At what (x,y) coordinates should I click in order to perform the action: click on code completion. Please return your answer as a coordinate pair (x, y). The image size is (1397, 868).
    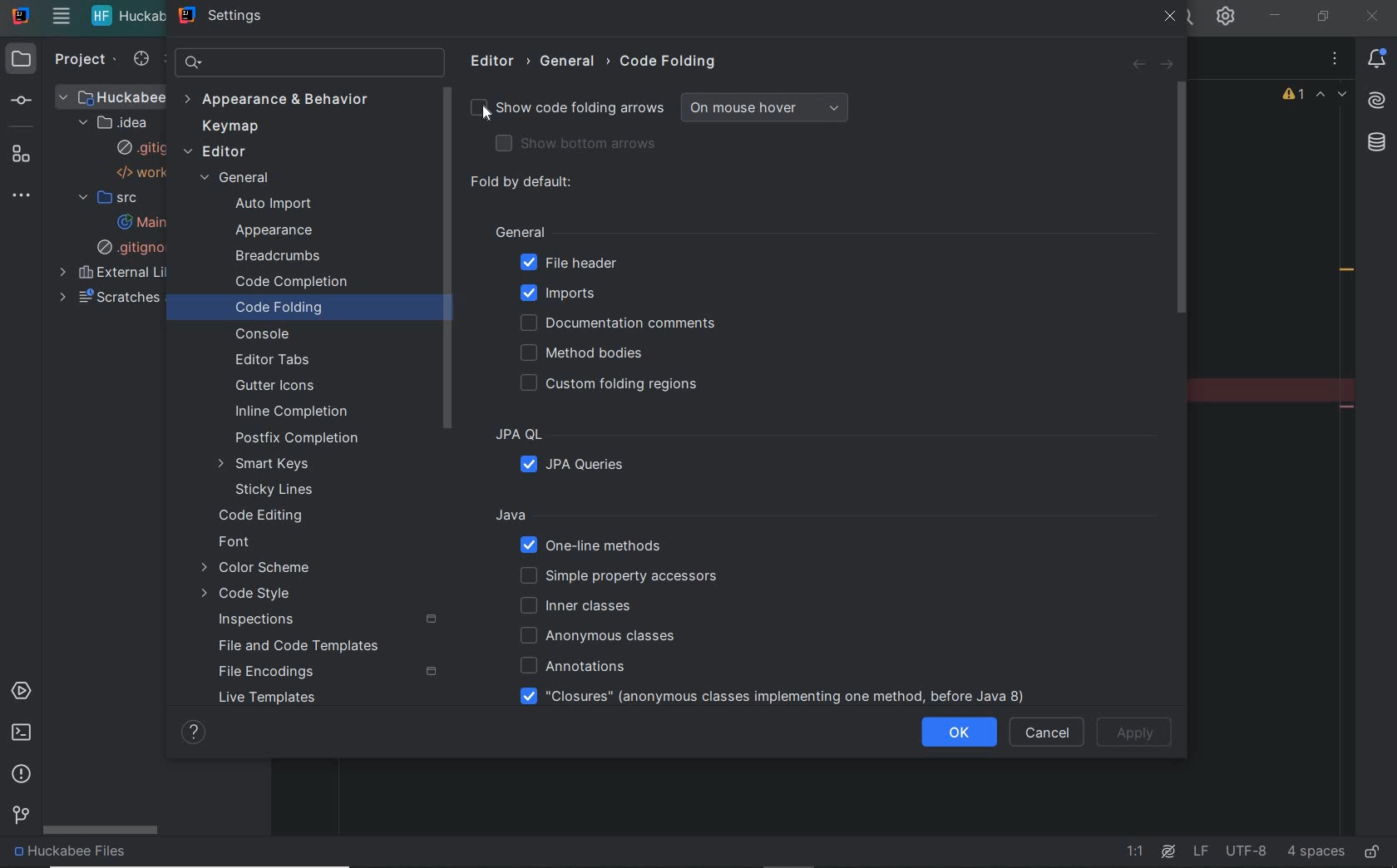
    Looking at the image, I should click on (289, 282).